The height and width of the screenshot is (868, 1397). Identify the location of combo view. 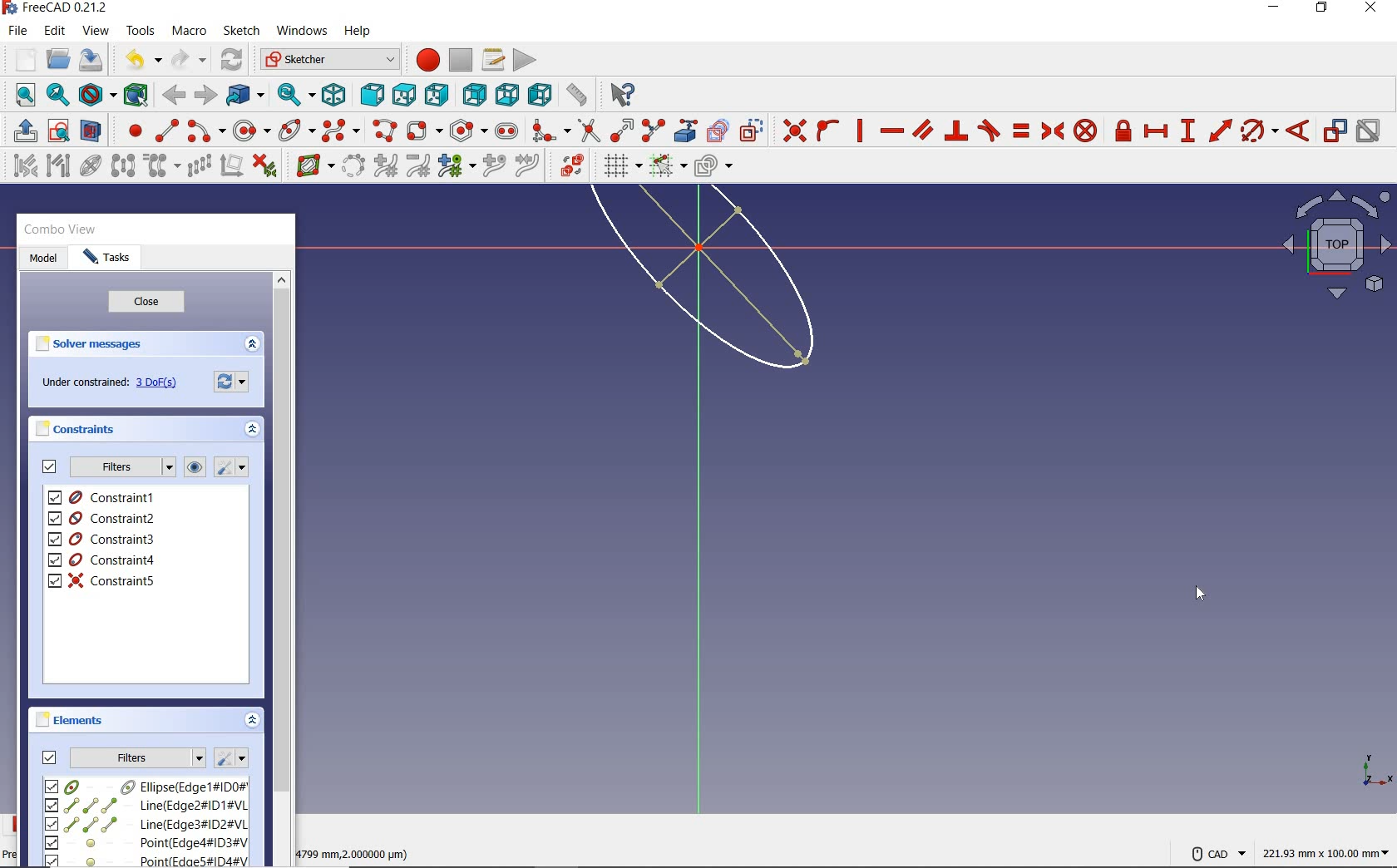
(61, 229).